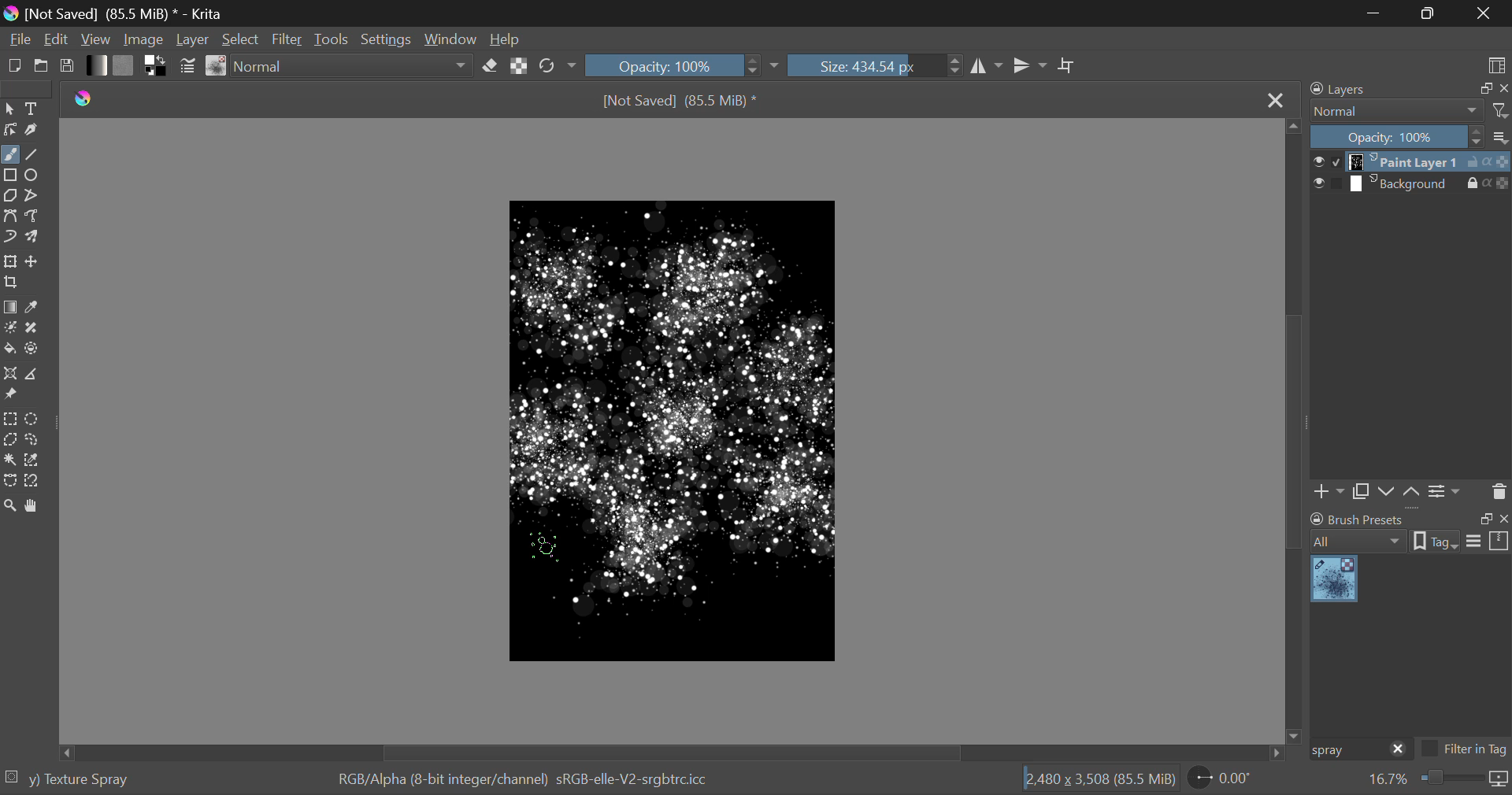 The height and width of the screenshot is (795, 1512). Describe the element at coordinates (1326, 161) in the screenshot. I see `checkbox` at that location.